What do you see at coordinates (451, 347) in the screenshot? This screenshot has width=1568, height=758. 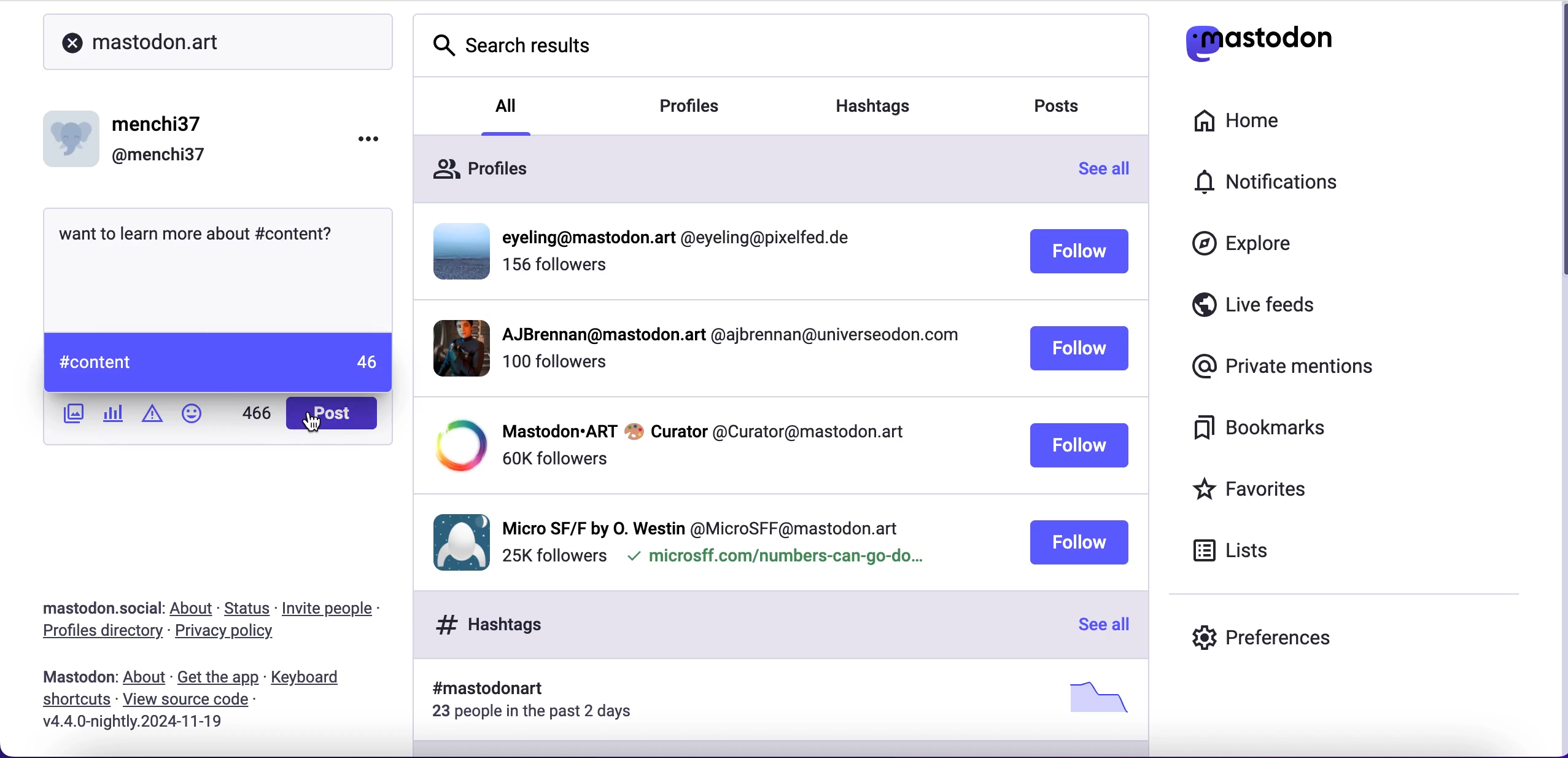 I see `display picture` at bounding box center [451, 347].